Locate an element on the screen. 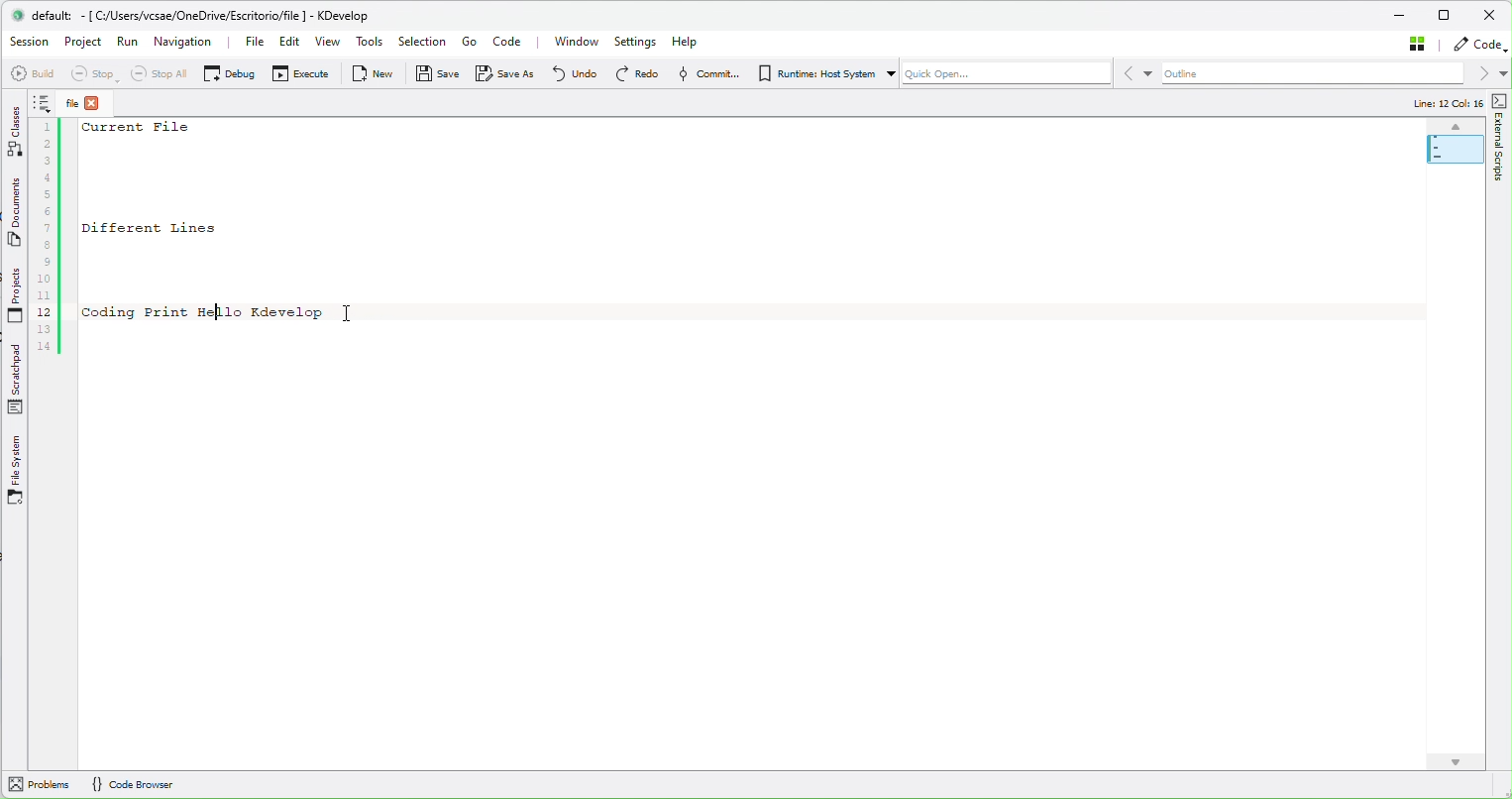 The image size is (1512, 799). Project is located at coordinates (85, 41).